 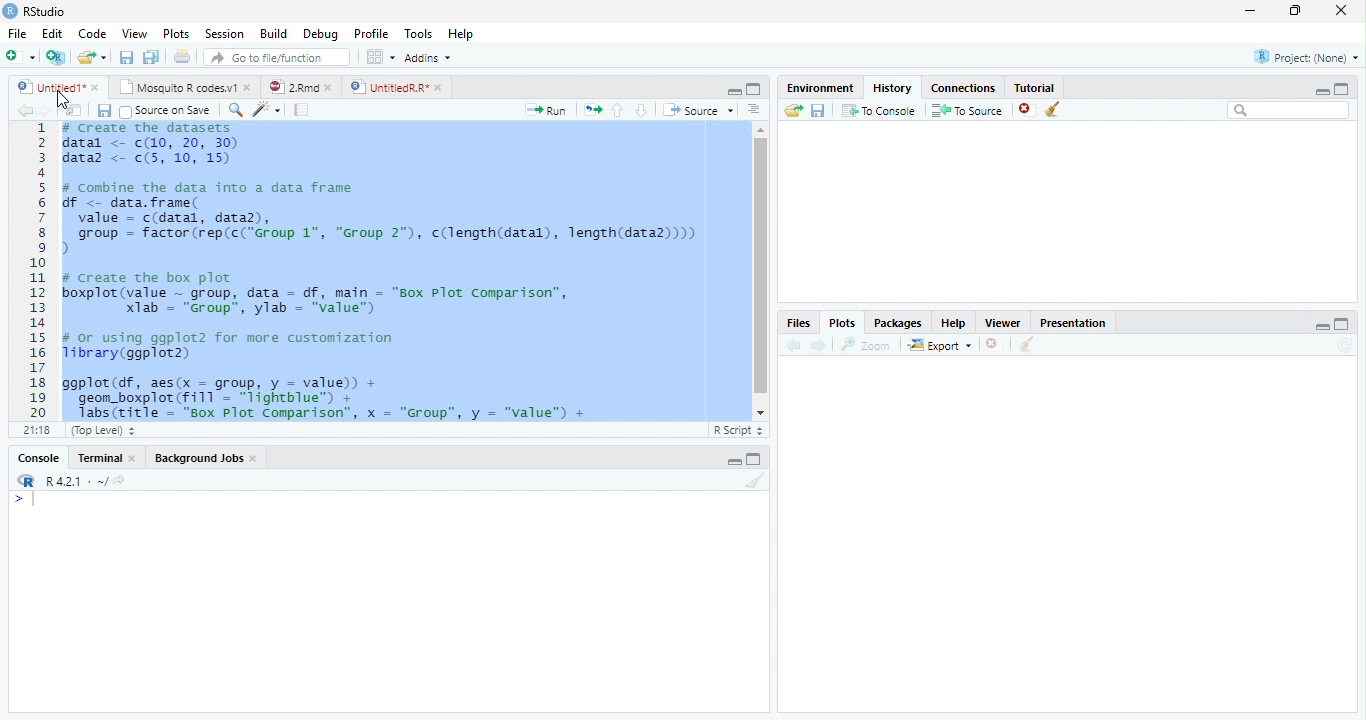 I want to click on Maximize, so click(x=1342, y=324).